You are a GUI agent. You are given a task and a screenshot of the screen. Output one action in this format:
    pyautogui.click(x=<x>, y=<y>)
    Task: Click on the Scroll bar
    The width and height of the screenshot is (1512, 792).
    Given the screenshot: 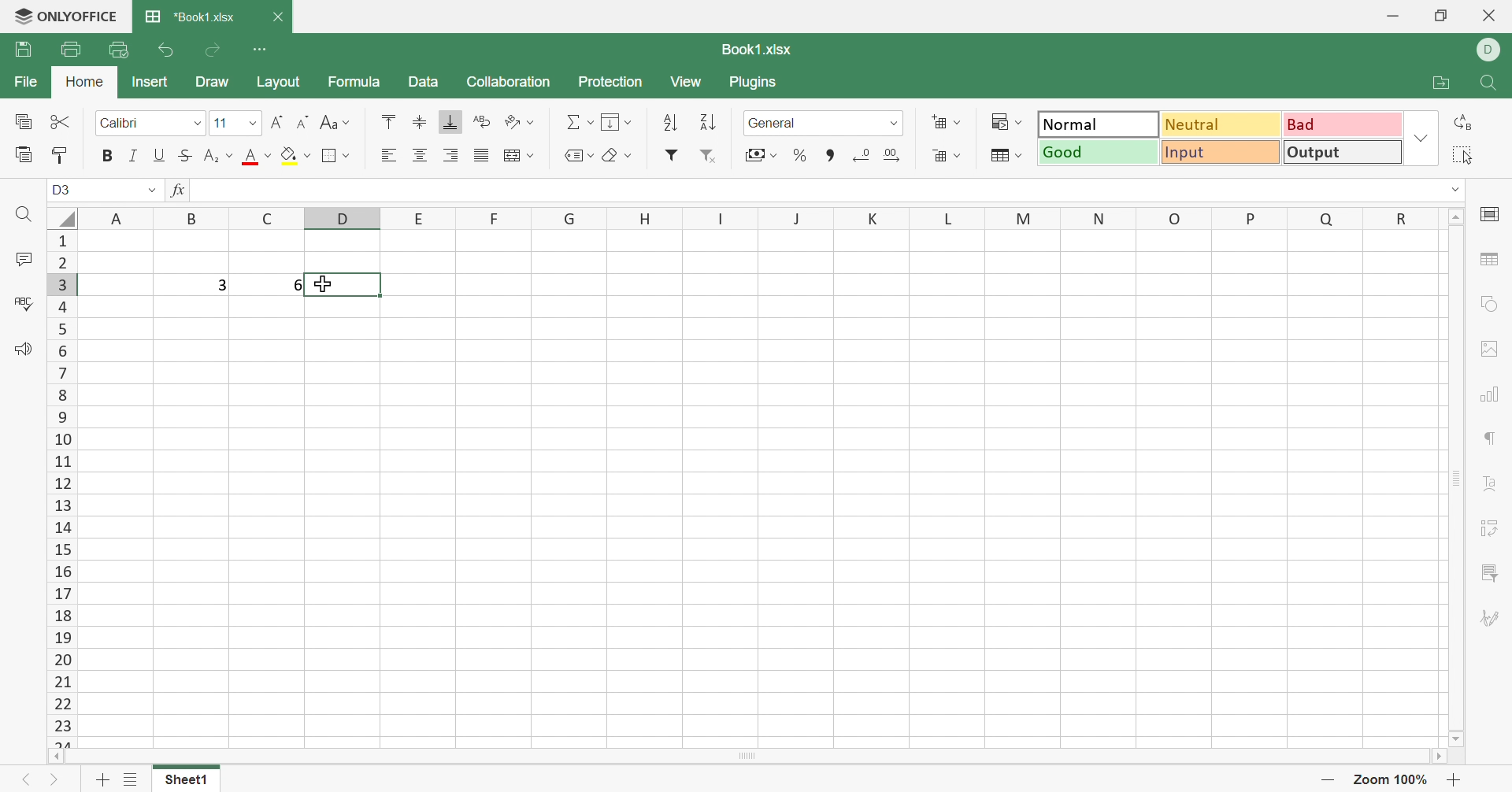 What is the action you would take?
    pyautogui.click(x=746, y=757)
    